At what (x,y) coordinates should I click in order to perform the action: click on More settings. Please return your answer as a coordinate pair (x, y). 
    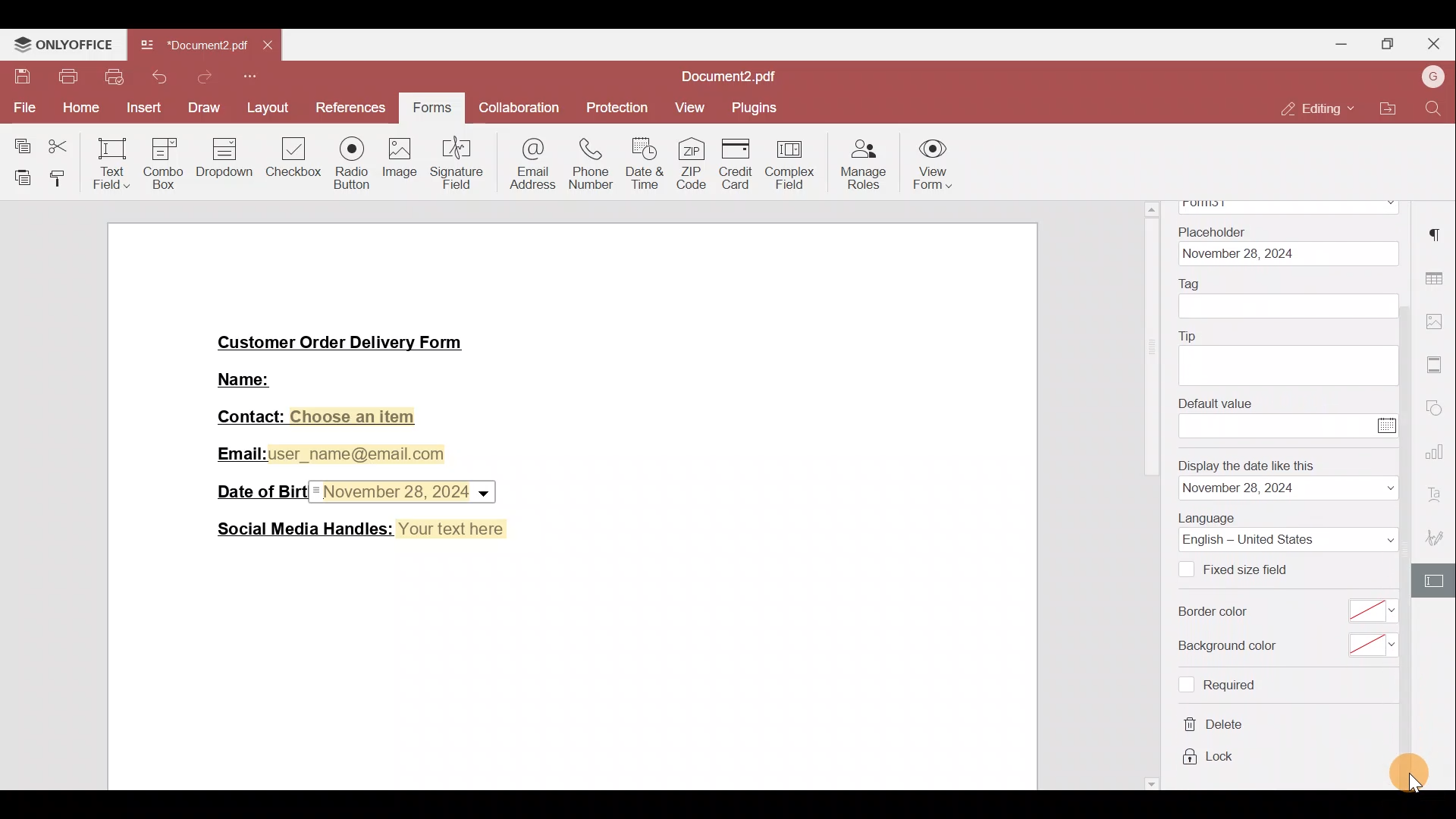
    Looking at the image, I should click on (1436, 365).